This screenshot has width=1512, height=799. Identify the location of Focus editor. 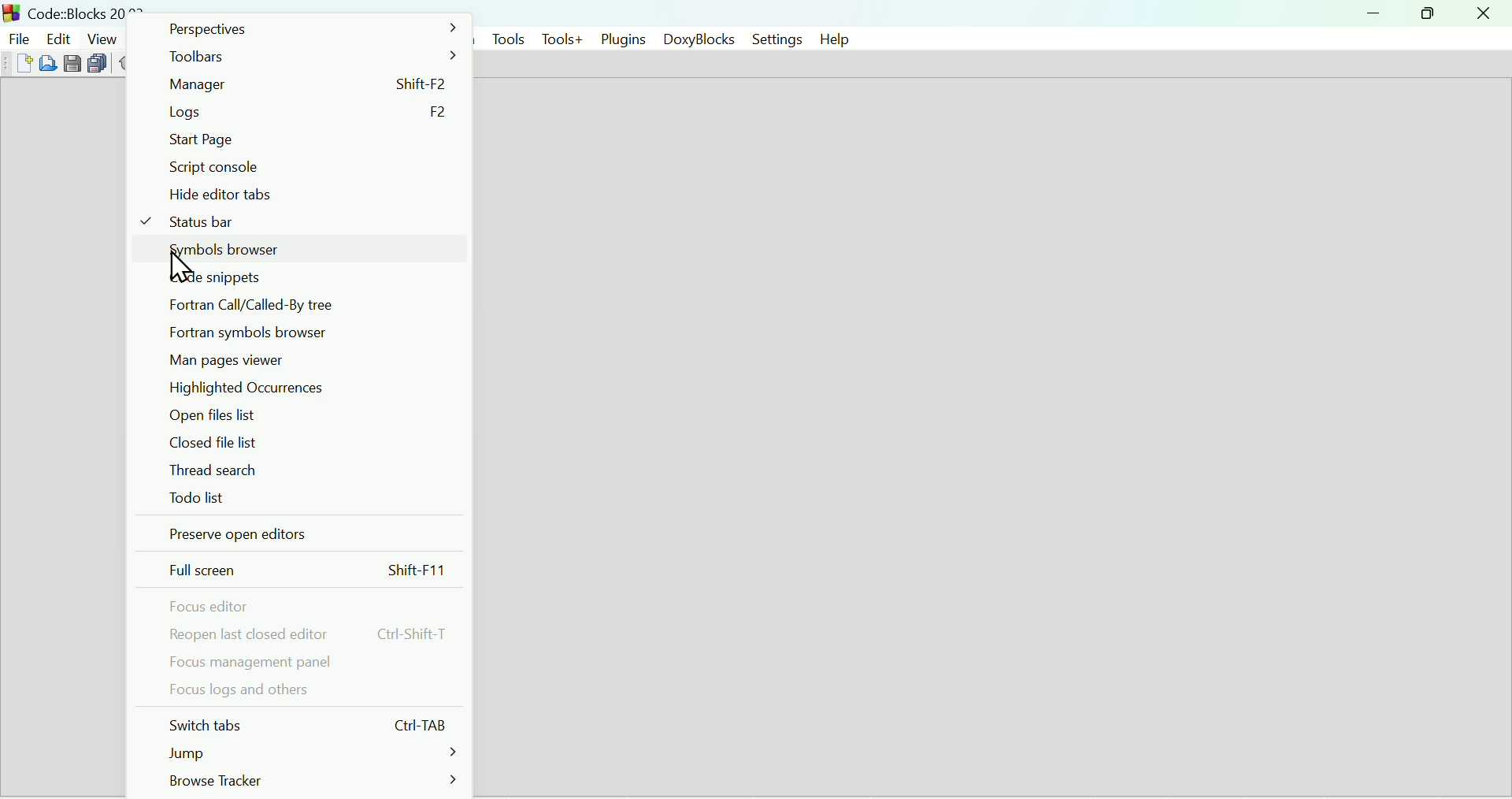
(303, 607).